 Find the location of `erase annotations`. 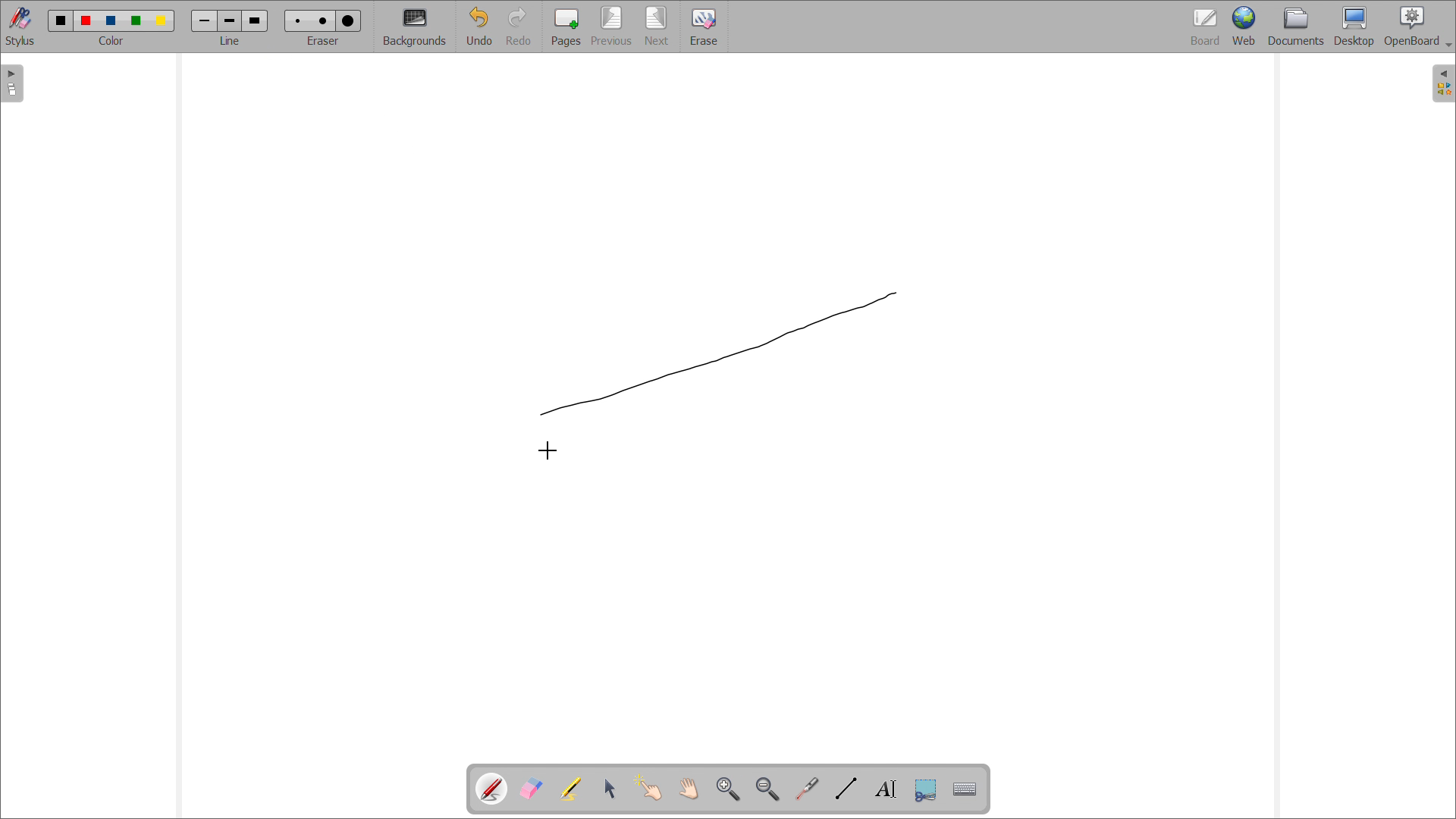

erase annotations is located at coordinates (532, 789).